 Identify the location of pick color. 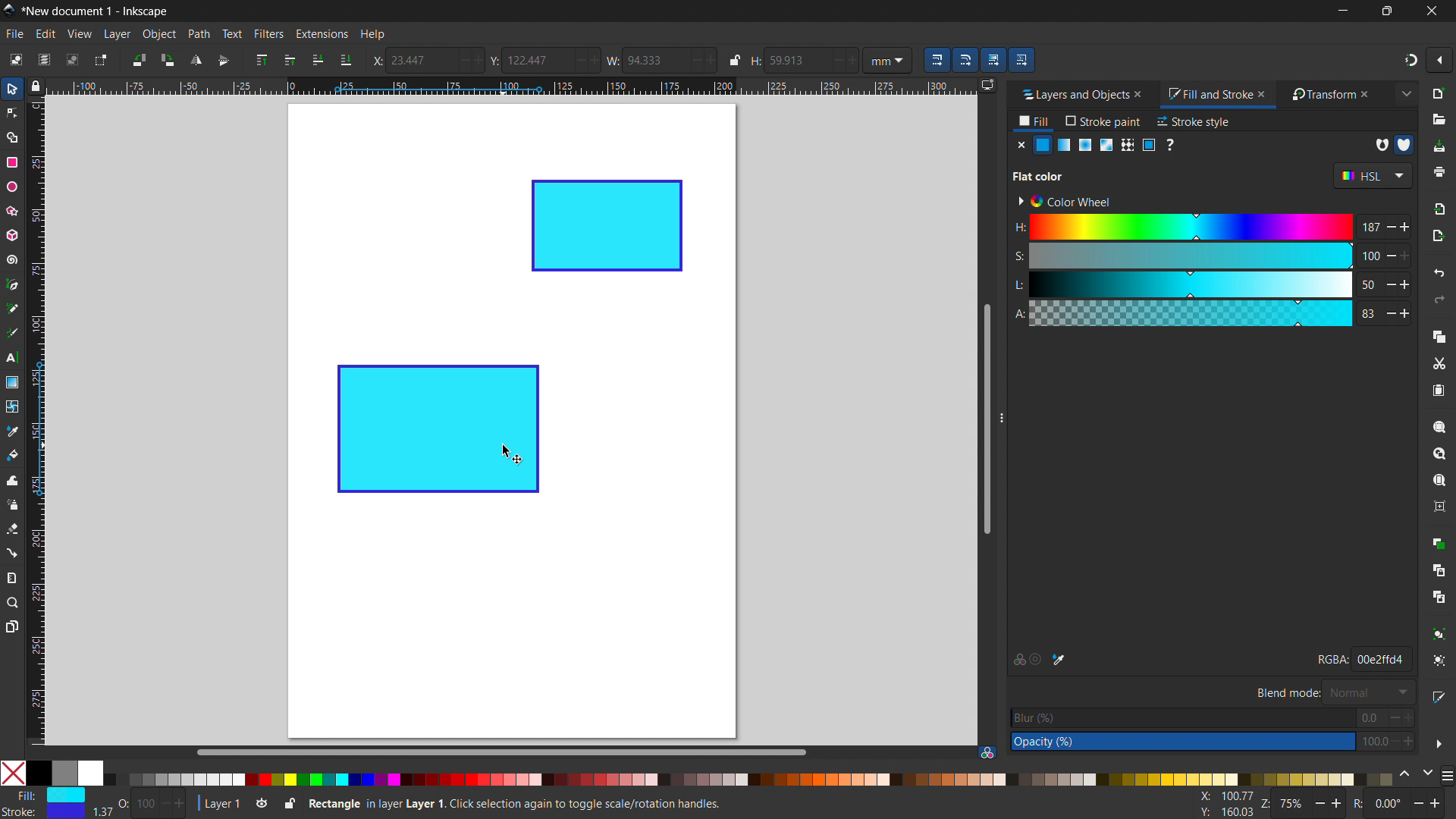
(1059, 660).